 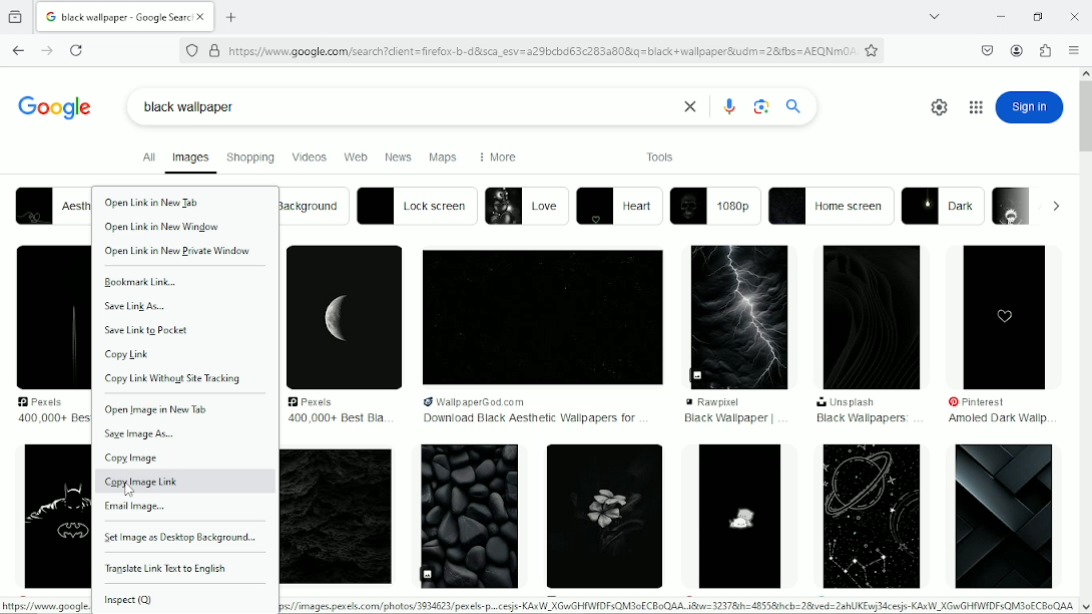 What do you see at coordinates (251, 156) in the screenshot?
I see `shopping` at bounding box center [251, 156].